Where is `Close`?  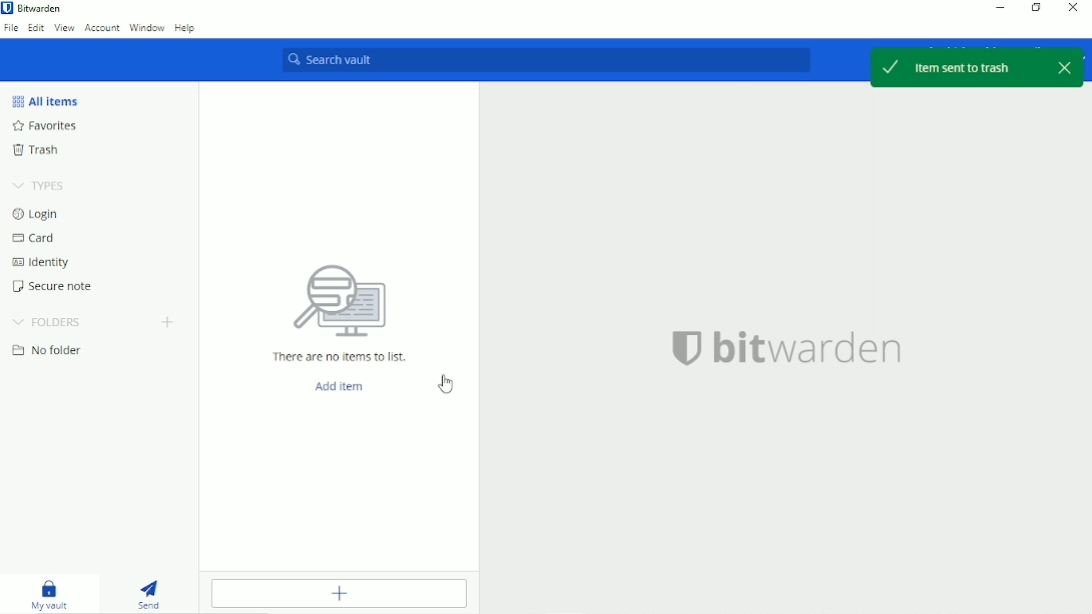 Close is located at coordinates (1072, 8).